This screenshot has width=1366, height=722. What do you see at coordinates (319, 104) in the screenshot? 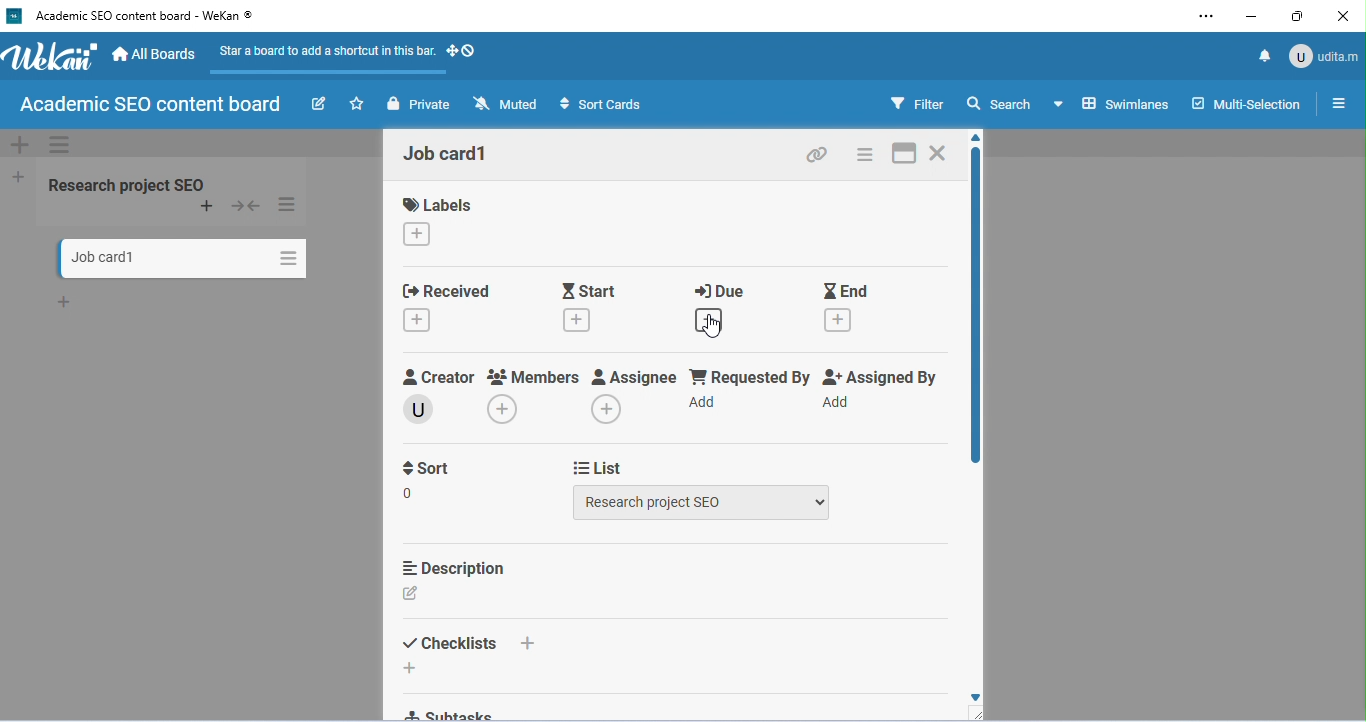
I see `edit` at bounding box center [319, 104].